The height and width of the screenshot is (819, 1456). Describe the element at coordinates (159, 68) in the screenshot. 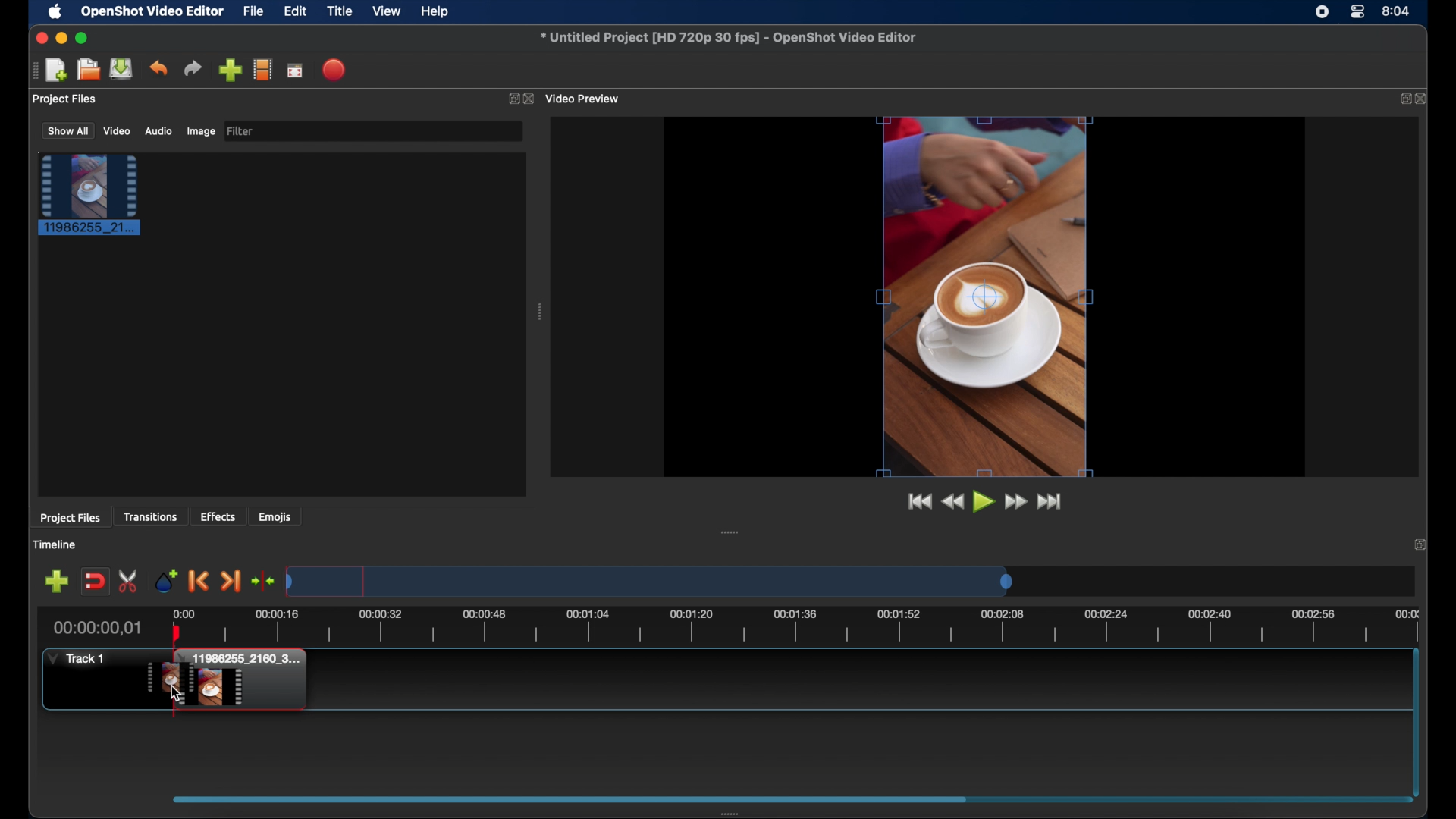

I see `undo` at that location.